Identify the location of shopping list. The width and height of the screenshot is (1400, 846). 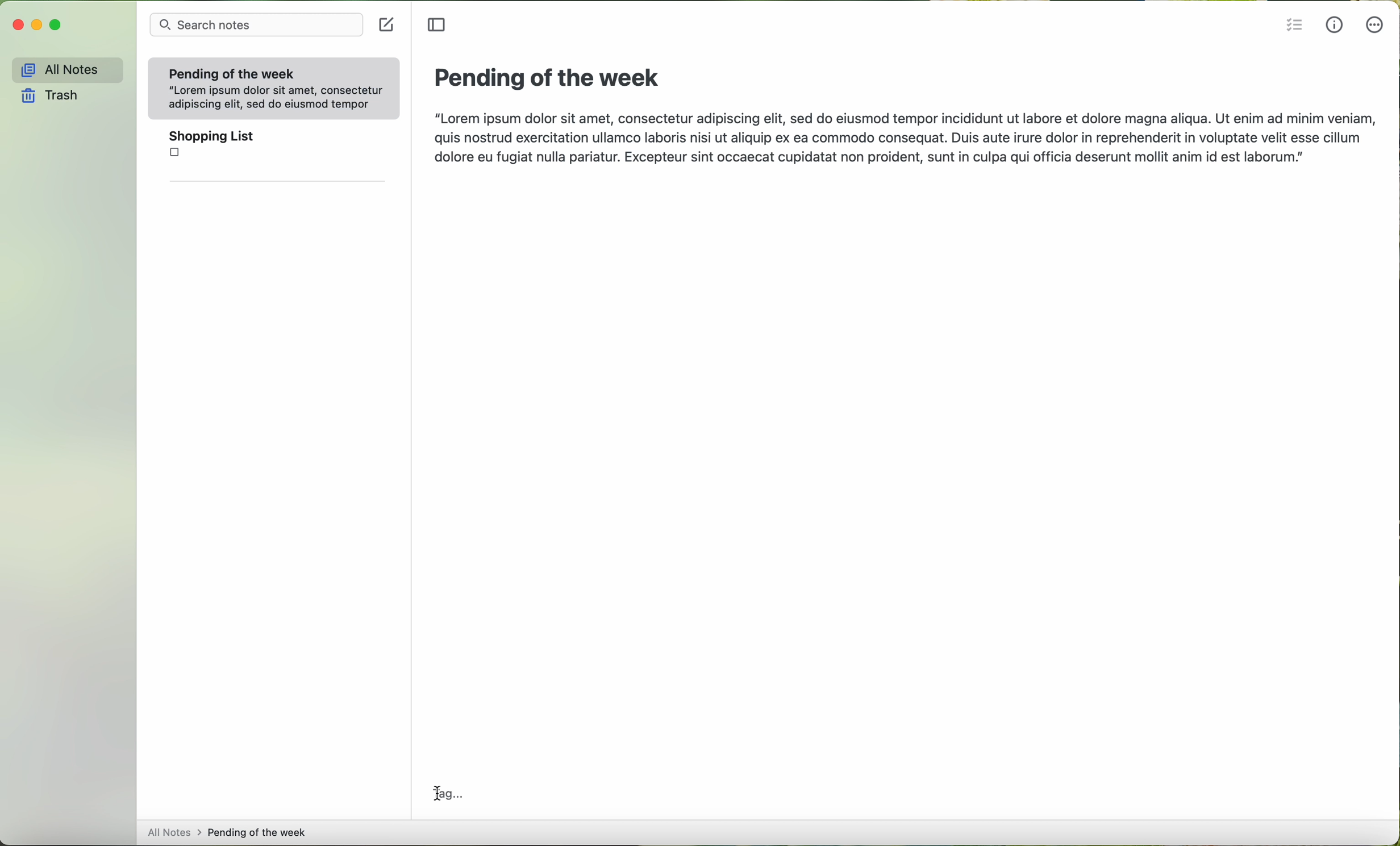
(274, 148).